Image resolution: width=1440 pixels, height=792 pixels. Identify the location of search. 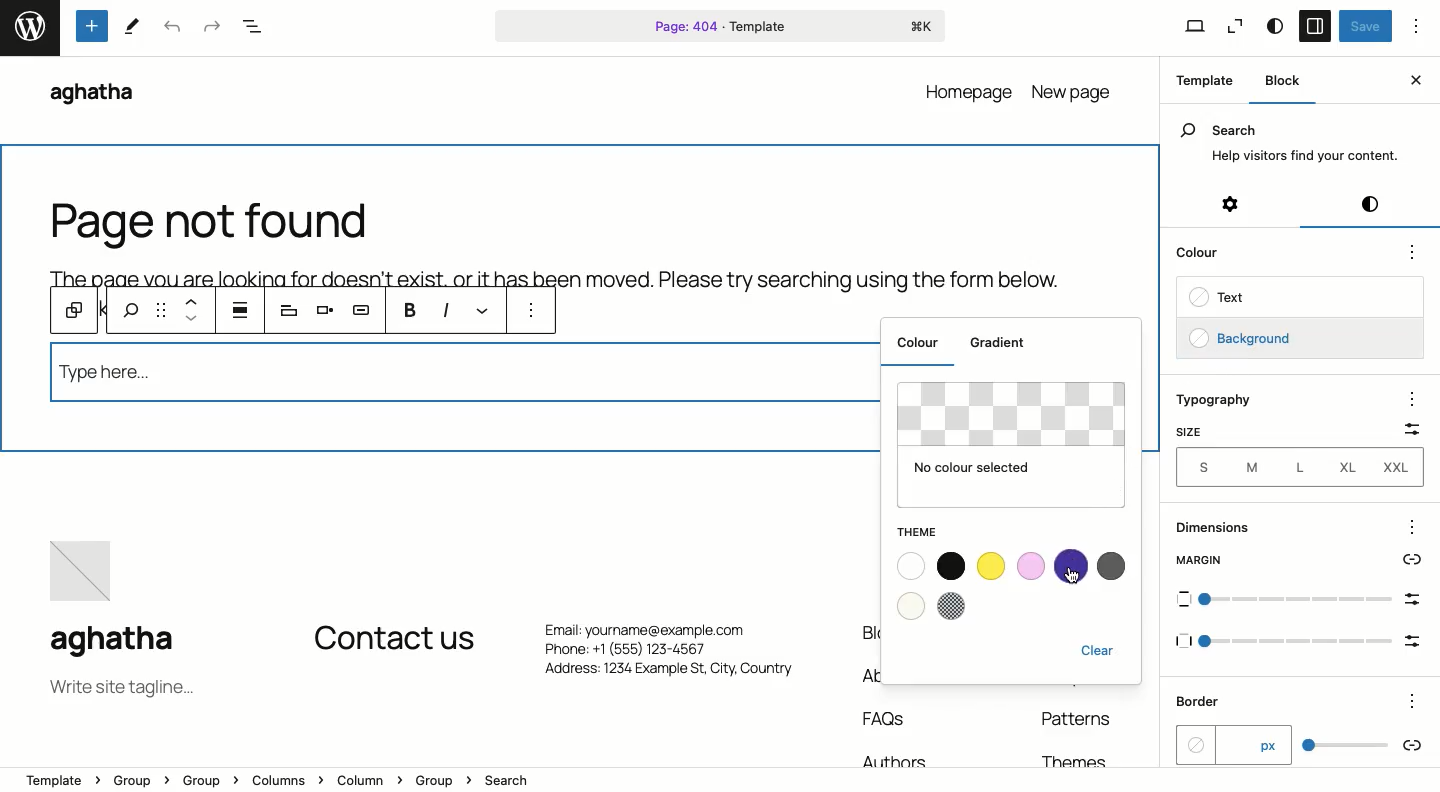
(130, 312).